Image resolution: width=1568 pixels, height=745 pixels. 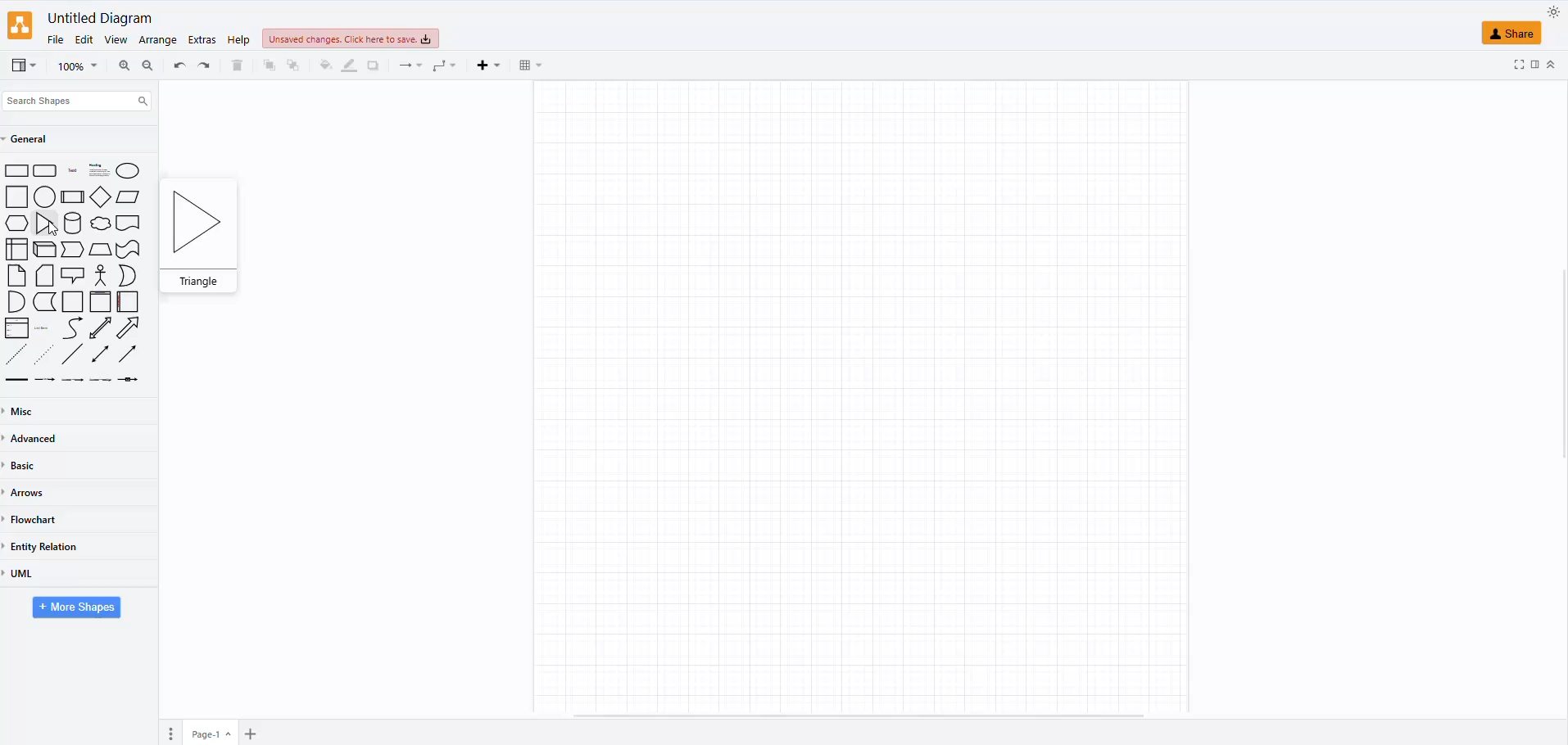 What do you see at coordinates (74, 196) in the screenshot?
I see `Box with borders` at bounding box center [74, 196].